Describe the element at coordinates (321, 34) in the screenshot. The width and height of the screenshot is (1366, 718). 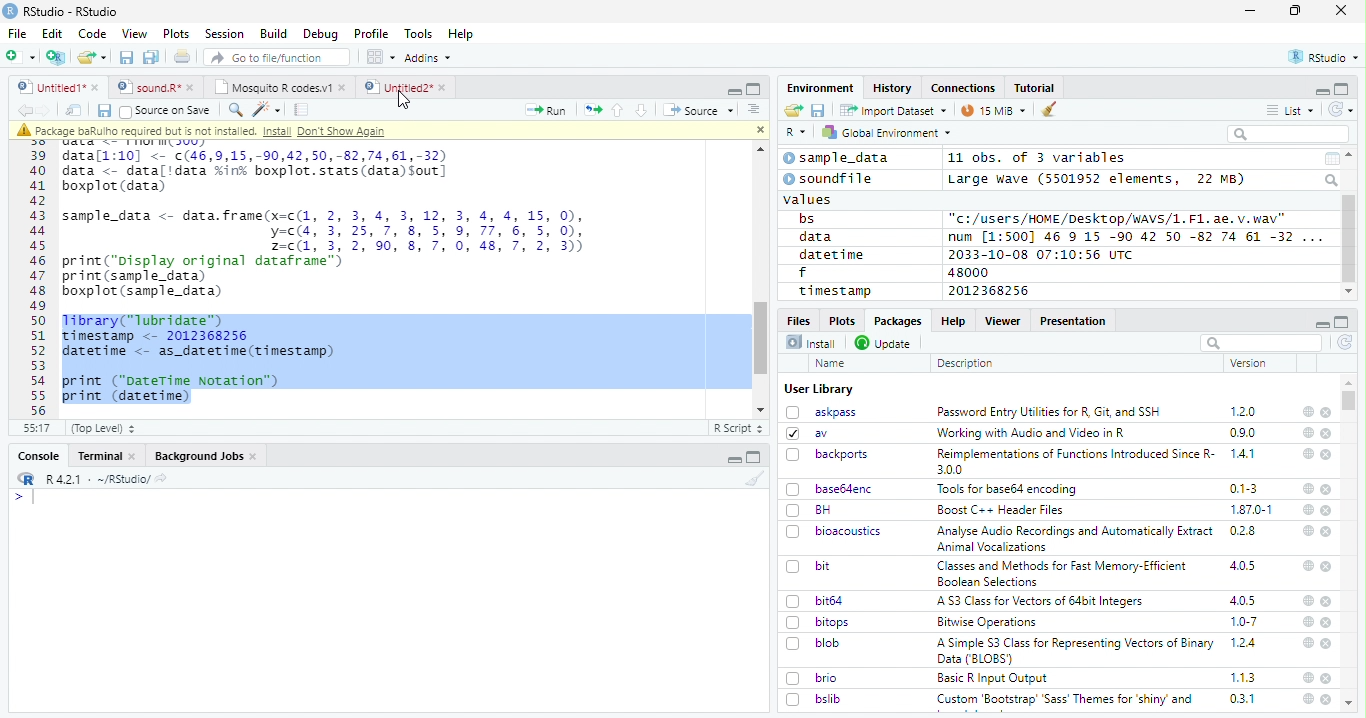
I see `Debug` at that location.